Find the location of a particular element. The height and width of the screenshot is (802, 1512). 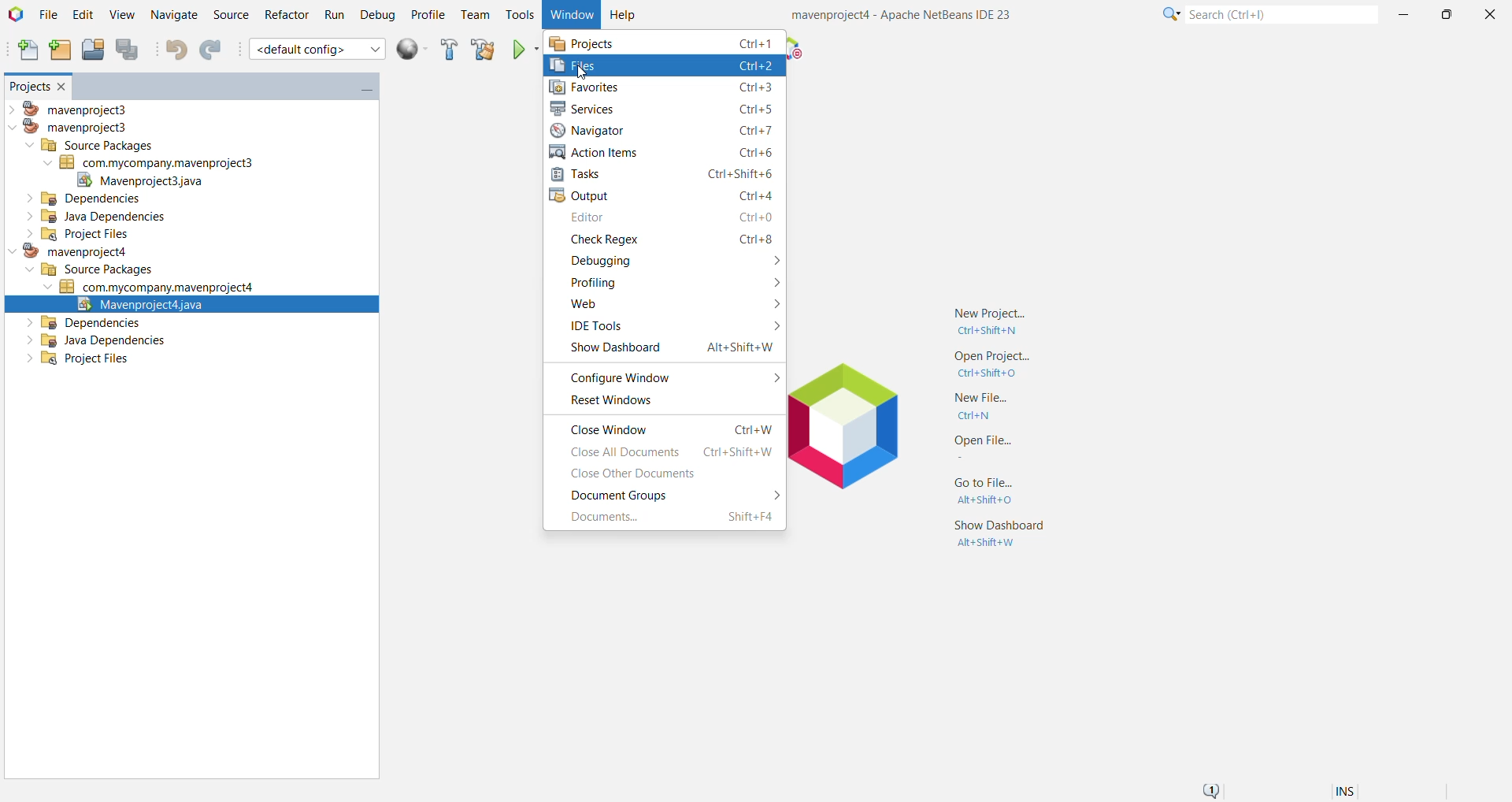

Project Files is located at coordinates (72, 235).